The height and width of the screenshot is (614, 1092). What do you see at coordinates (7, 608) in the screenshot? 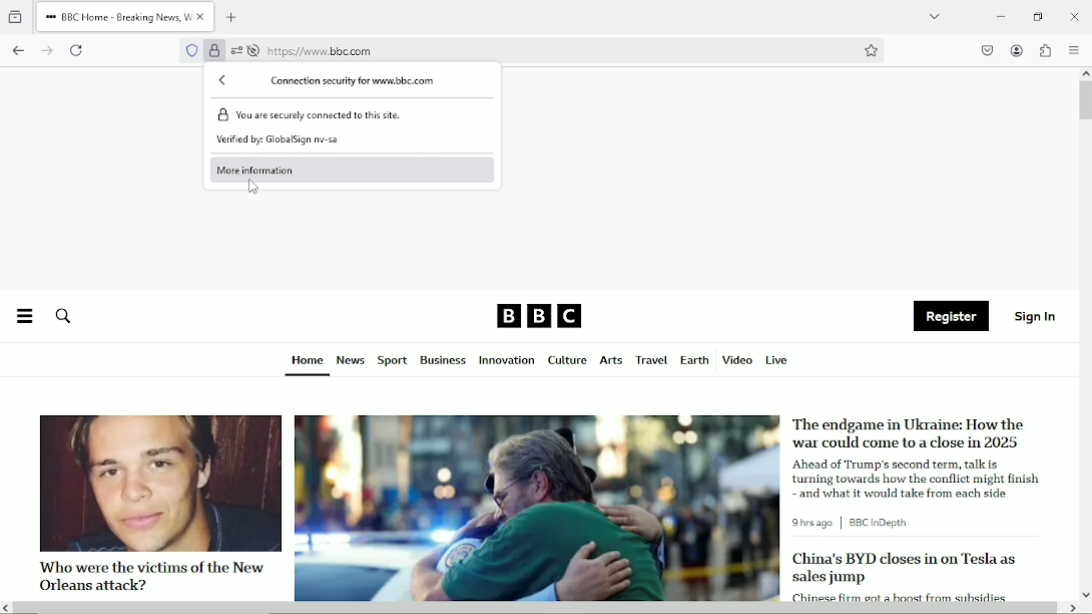
I see `scroll left` at bounding box center [7, 608].